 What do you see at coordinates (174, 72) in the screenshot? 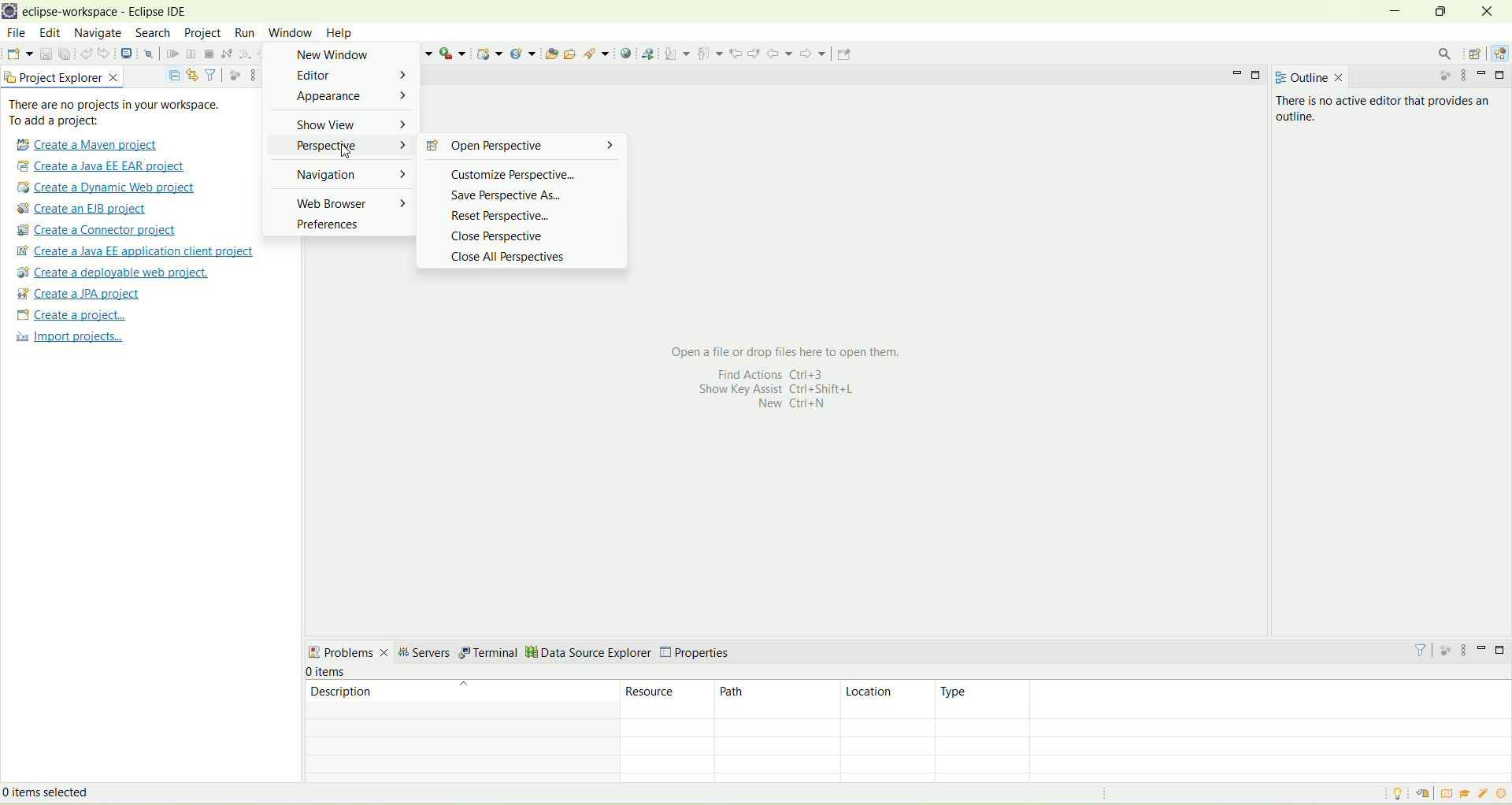
I see `collapse all` at bounding box center [174, 72].